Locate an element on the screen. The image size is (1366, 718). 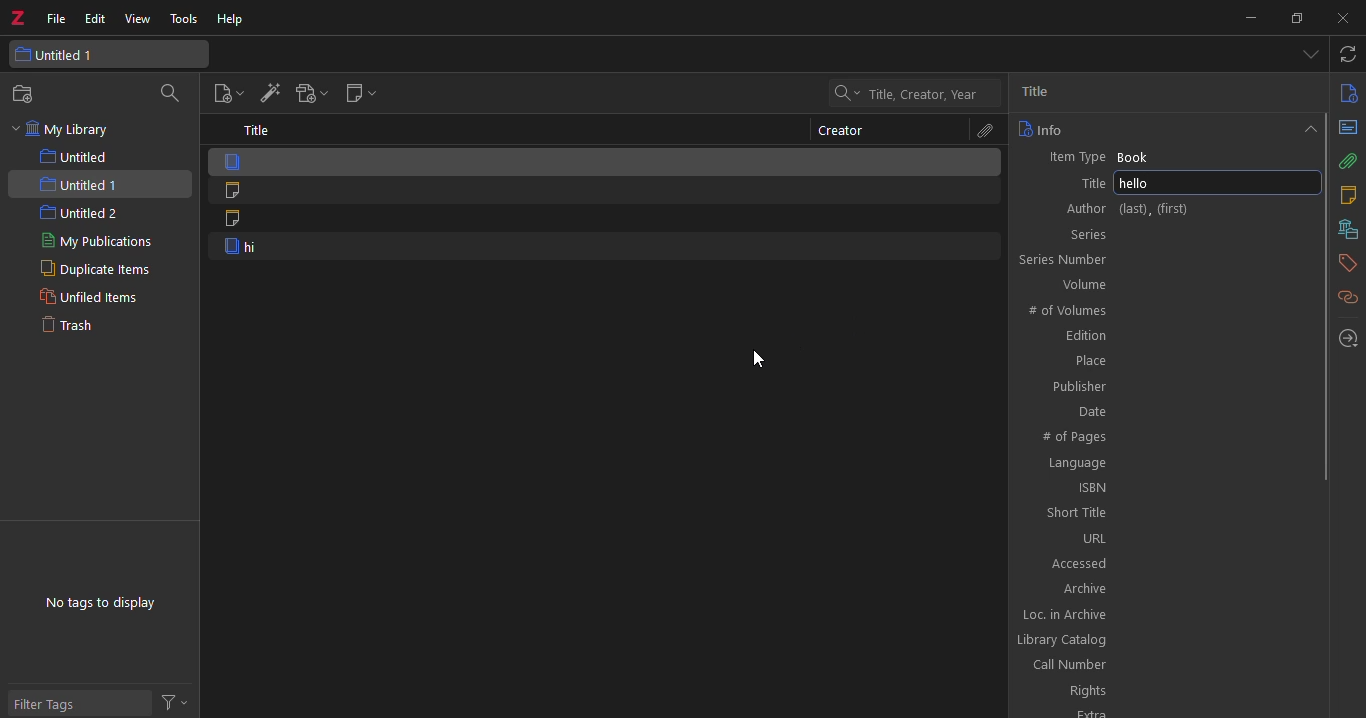
call number is located at coordinates (1158, 665).